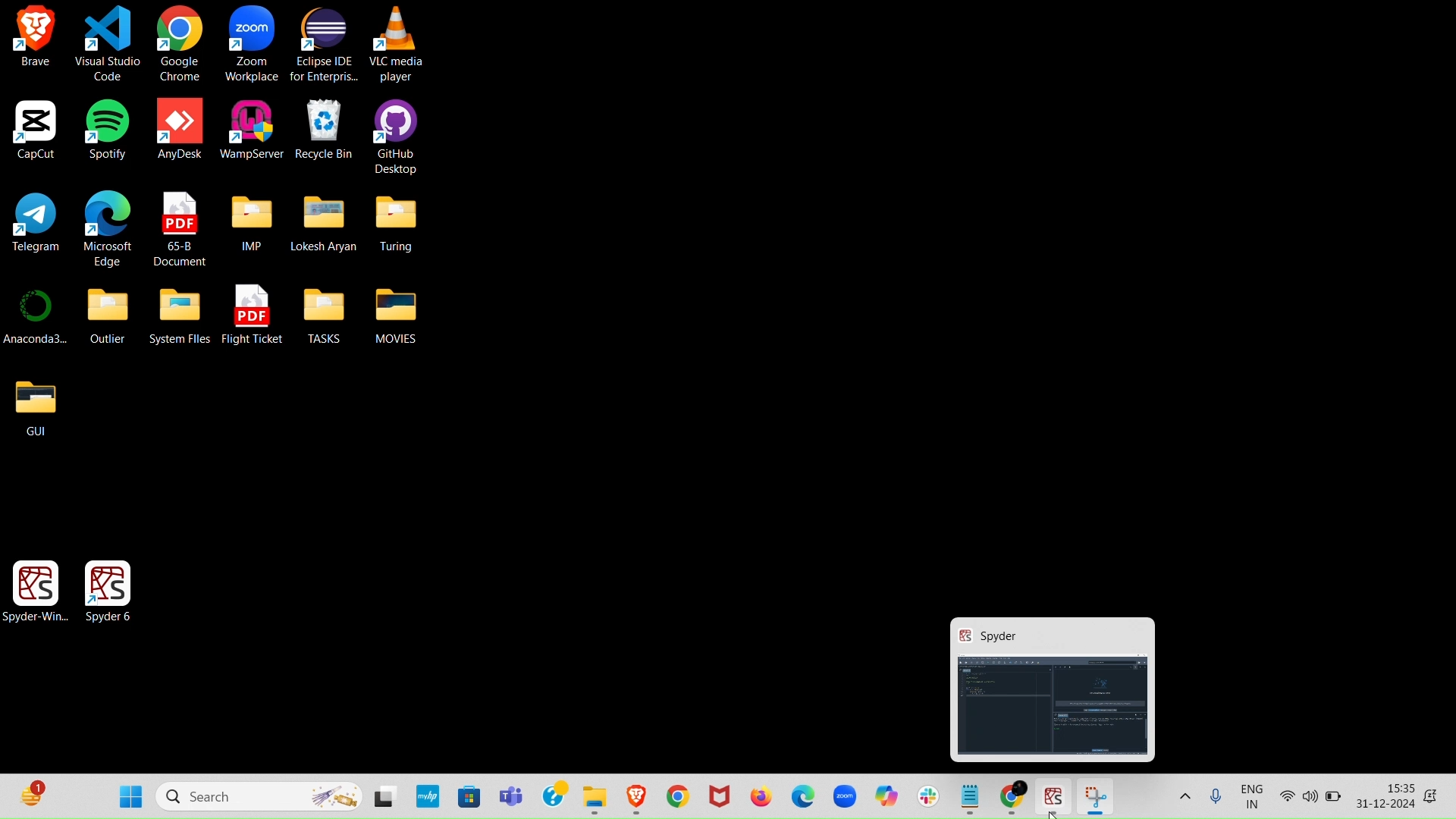 The image size is (1456, 819). What do you see at coordinates (106, 129) in the screenshot?
I see `Spotify` at bounding box center [106, 129].